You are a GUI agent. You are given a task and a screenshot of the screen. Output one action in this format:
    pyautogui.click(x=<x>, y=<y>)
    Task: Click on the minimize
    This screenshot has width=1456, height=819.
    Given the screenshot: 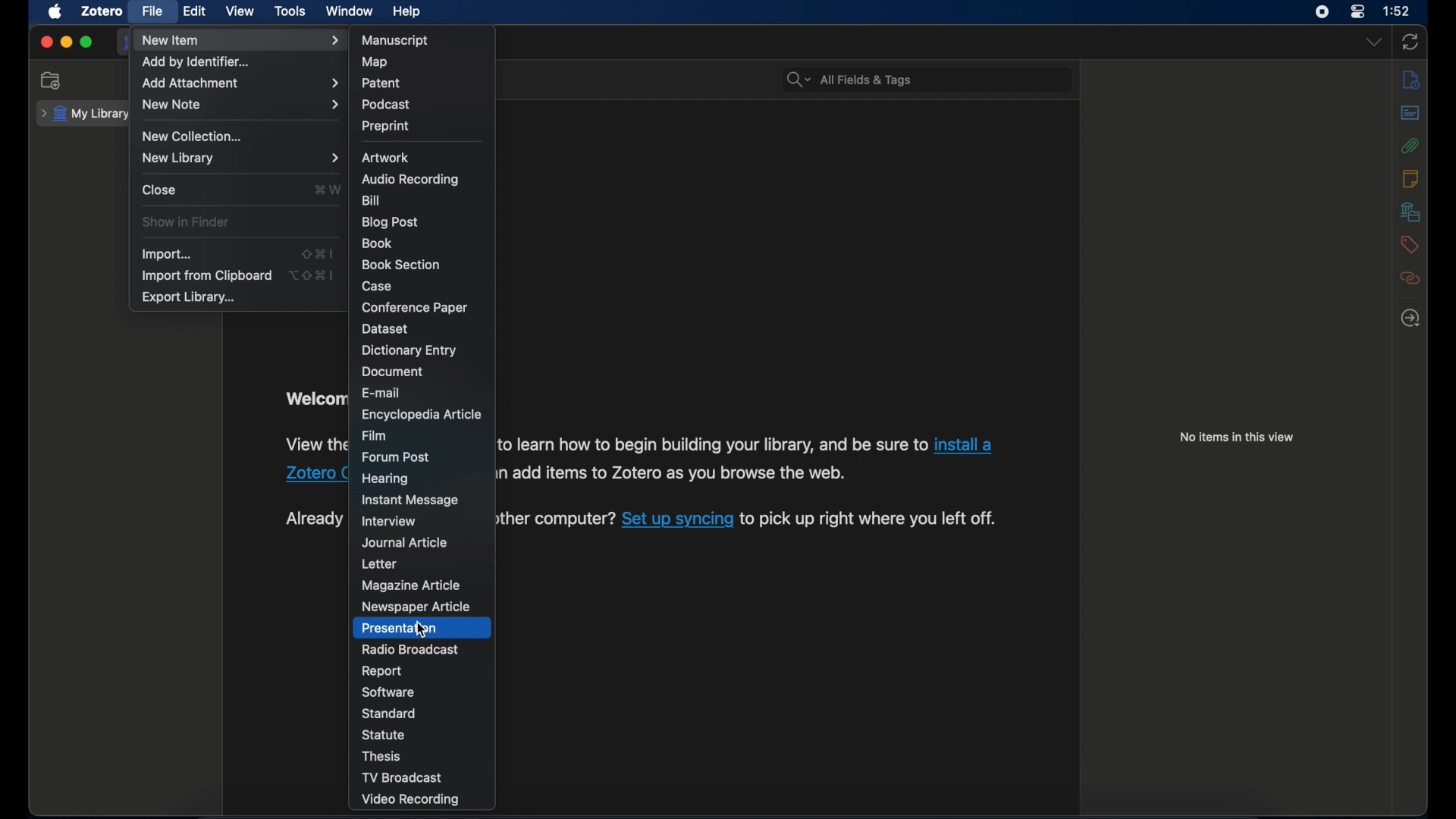 What is the action you would take?
    pyautogui.click(x=65, y=42)
    